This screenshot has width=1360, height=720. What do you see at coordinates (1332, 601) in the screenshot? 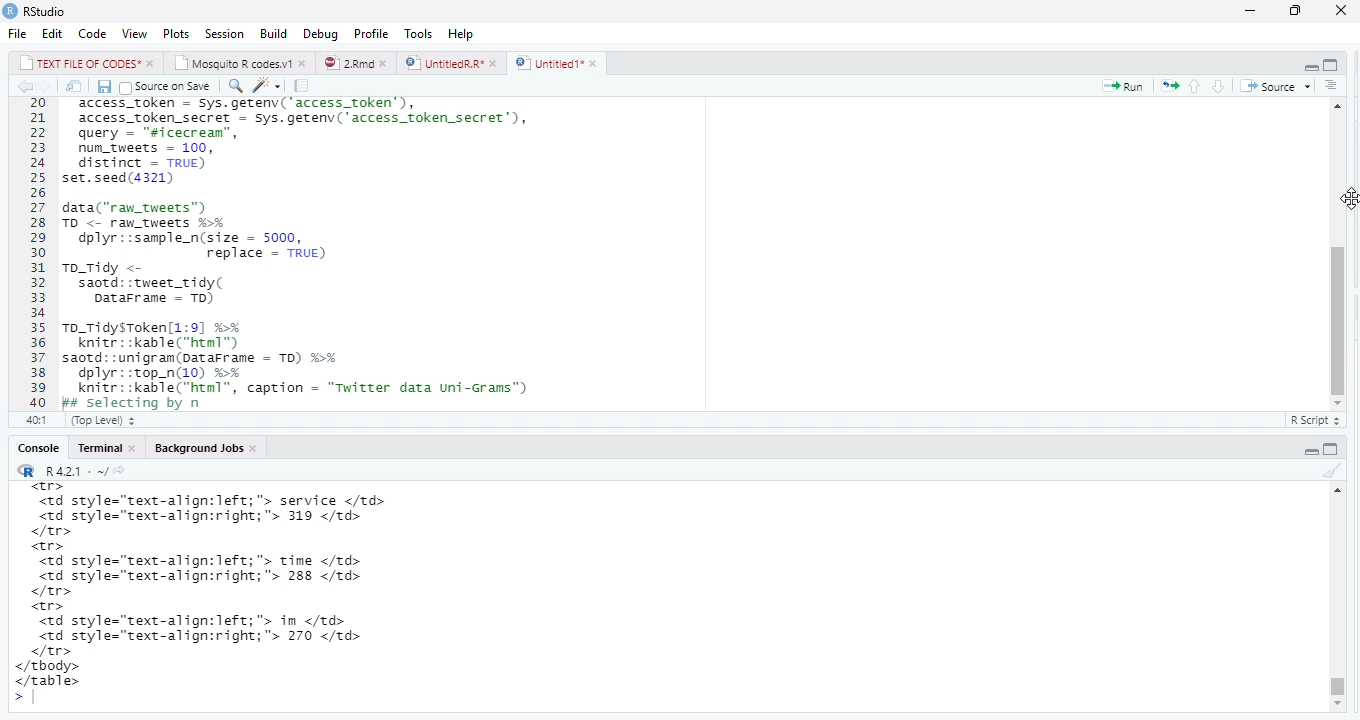
I see `Scrollbar` at bounding box center [1332, 601].